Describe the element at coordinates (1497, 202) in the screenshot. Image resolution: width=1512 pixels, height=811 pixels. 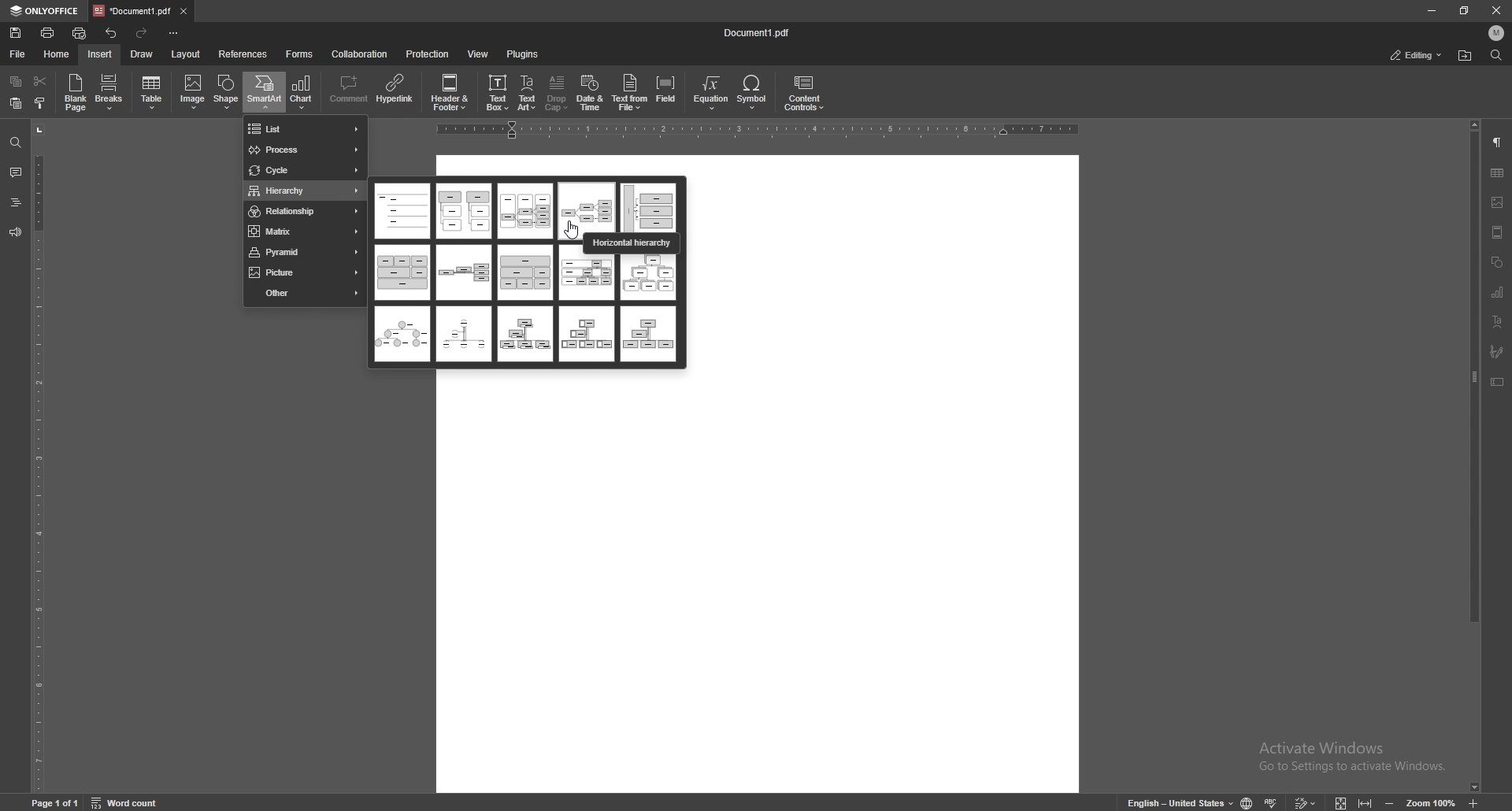
I see `image` at that location.